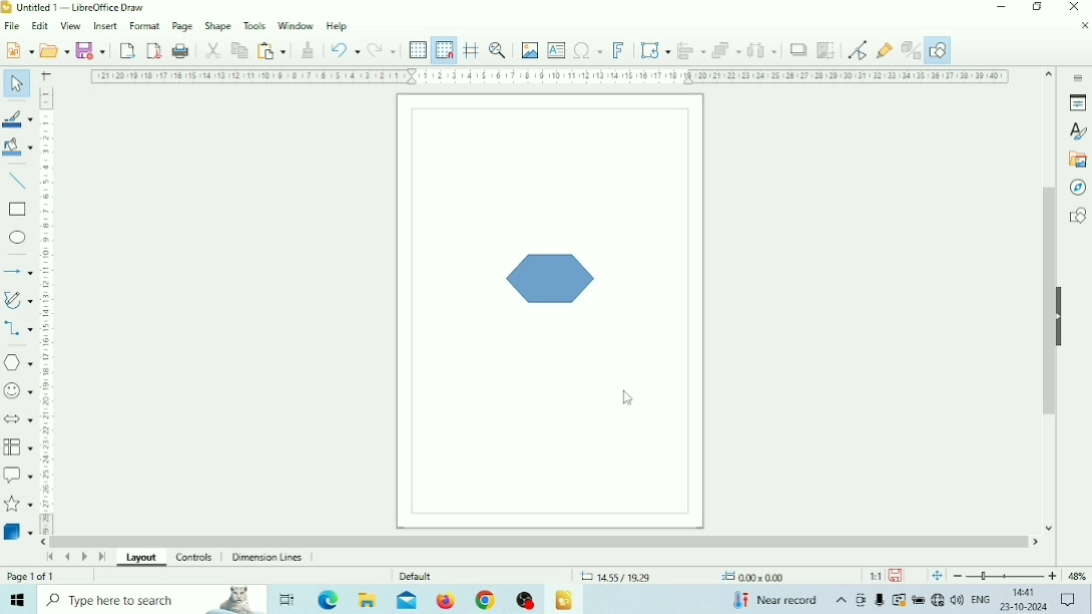  What do you see at coordinates (937, 576) in the screenshot?
I see `Fit page to current window` at bounding box center [937, 576].